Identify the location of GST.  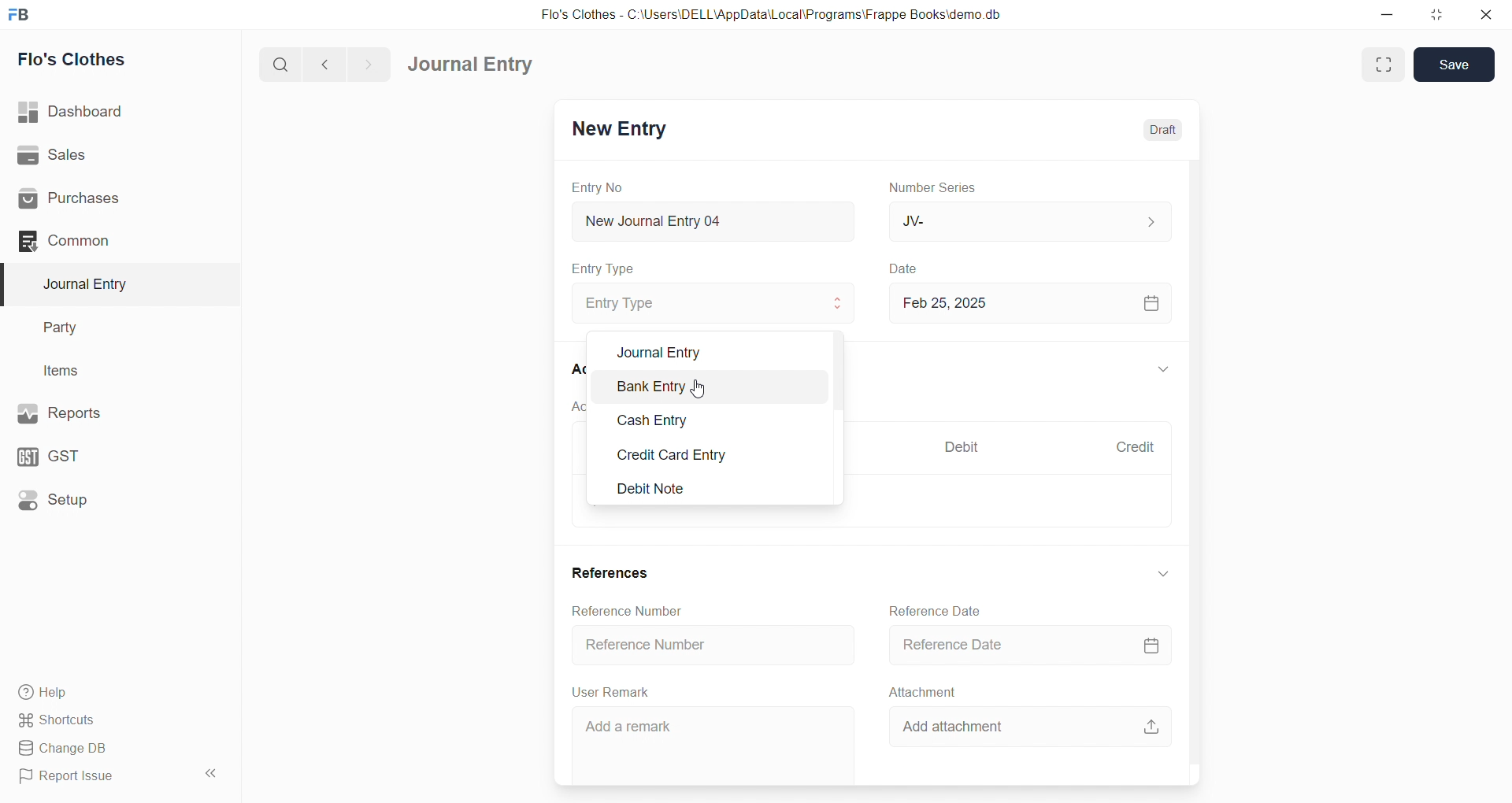
(109, 453).